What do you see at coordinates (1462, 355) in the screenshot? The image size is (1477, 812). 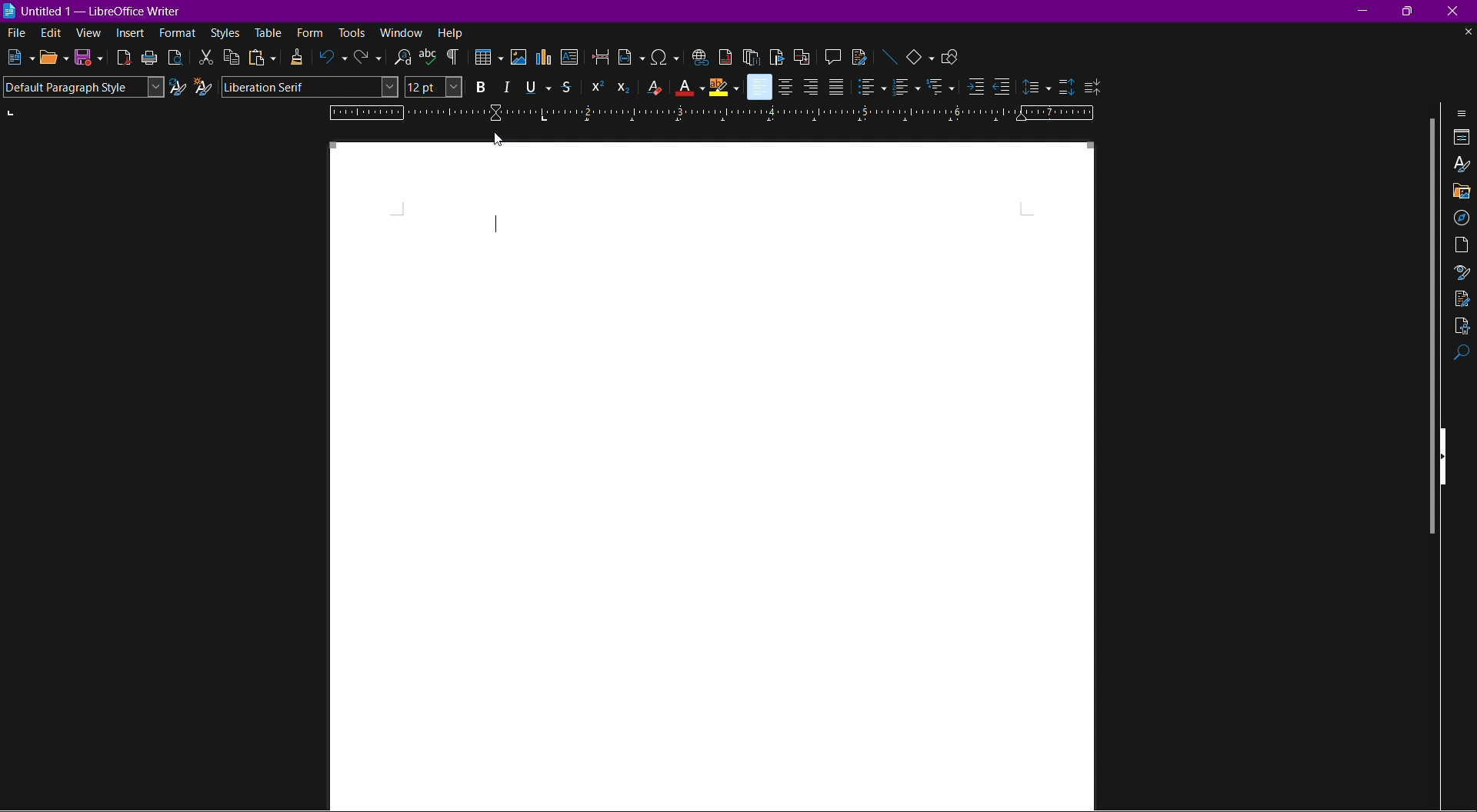 I see `Find` at bounding box center [1462, 355].